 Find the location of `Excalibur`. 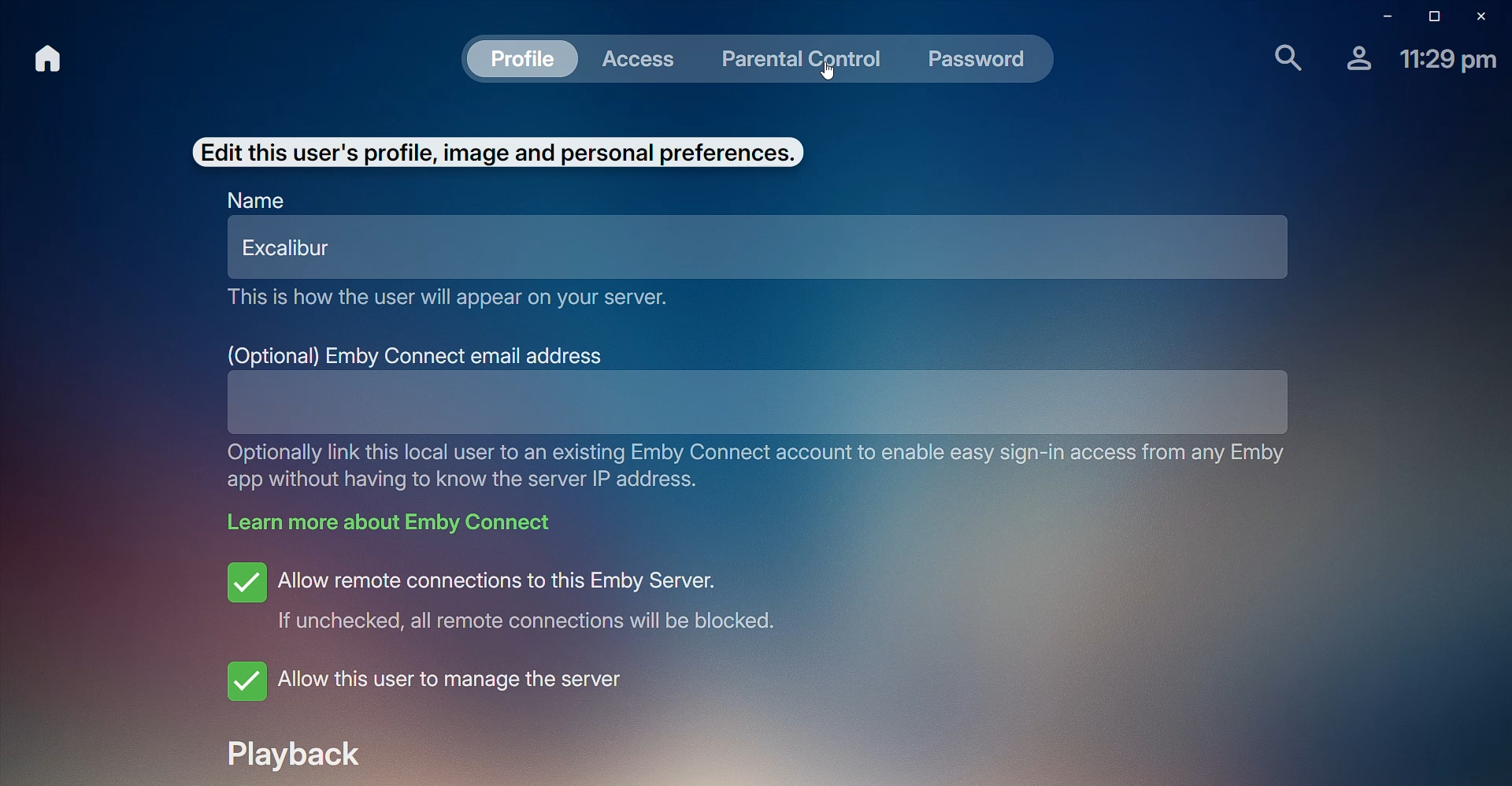

Excalibur is located at coordinates (758, 252).